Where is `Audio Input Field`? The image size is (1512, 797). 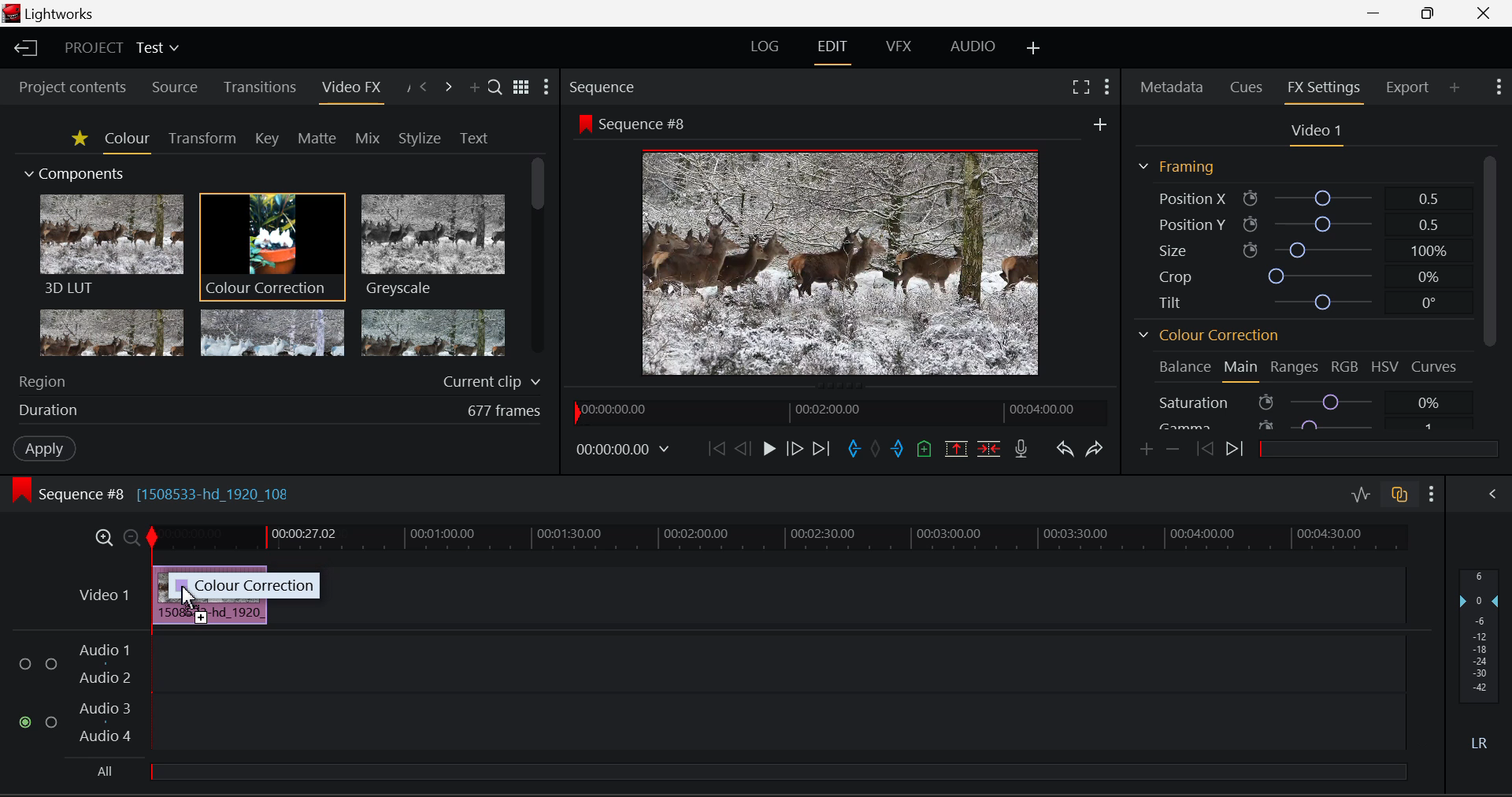 Audio Input Field is located at coordinates (776, 662).